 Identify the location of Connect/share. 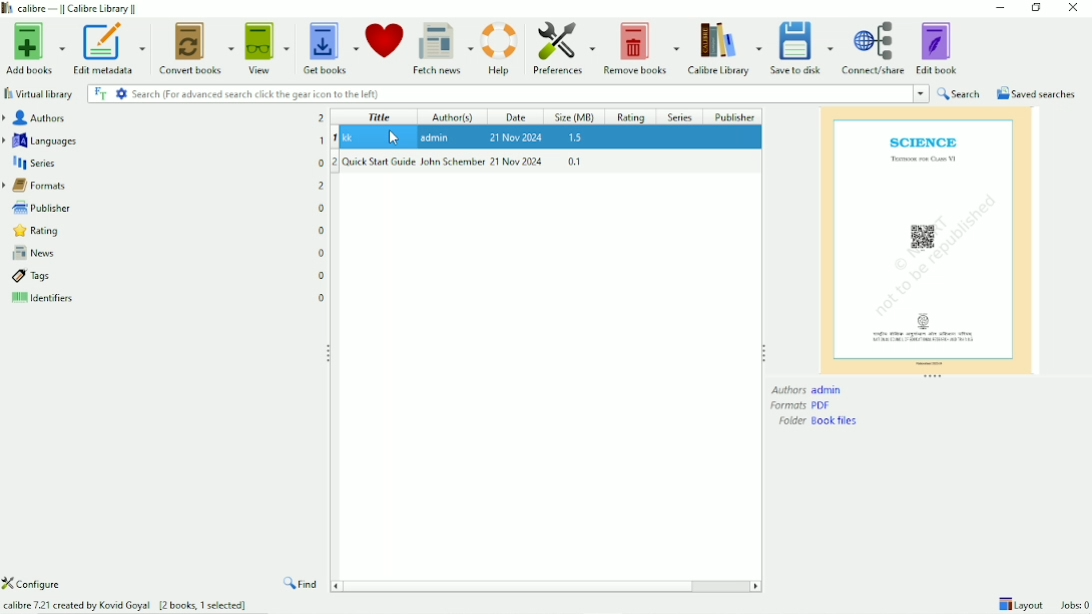
(875, 49).